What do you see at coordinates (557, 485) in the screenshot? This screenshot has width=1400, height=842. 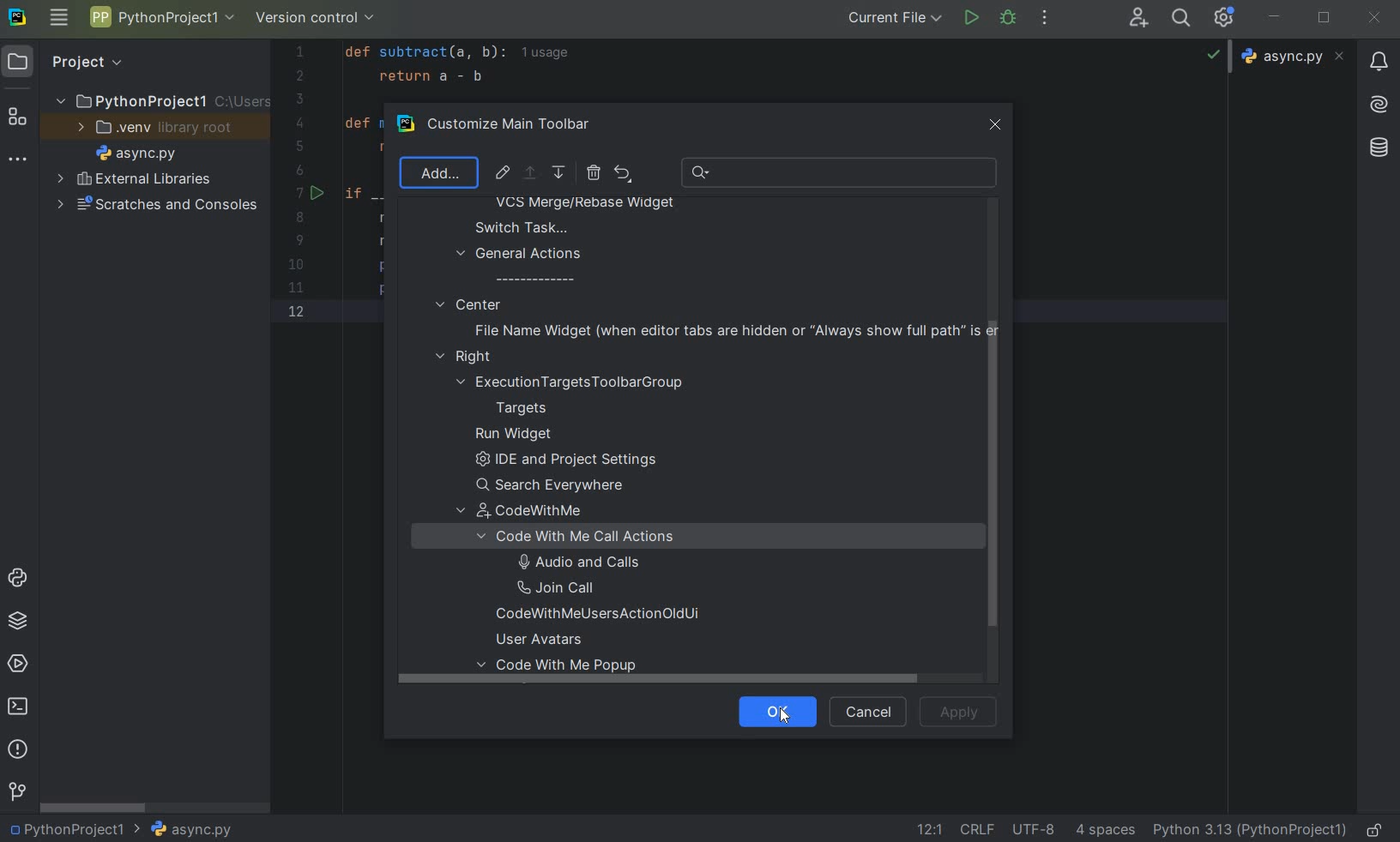 I see `search everywhere` at bounding box center [557, 485].